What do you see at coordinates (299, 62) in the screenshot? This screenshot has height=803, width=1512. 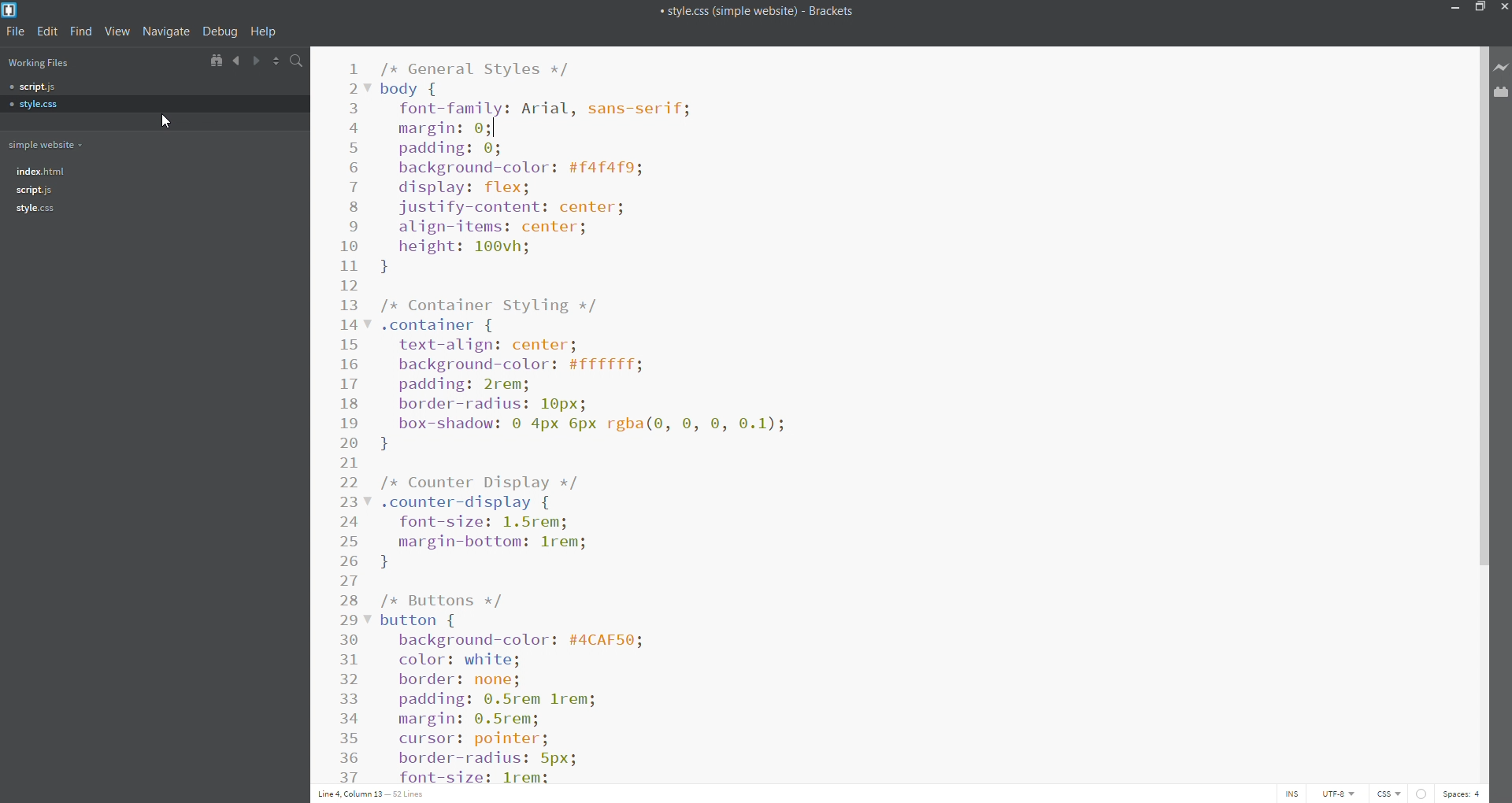 I see `search` at bounding box center [299, 62].